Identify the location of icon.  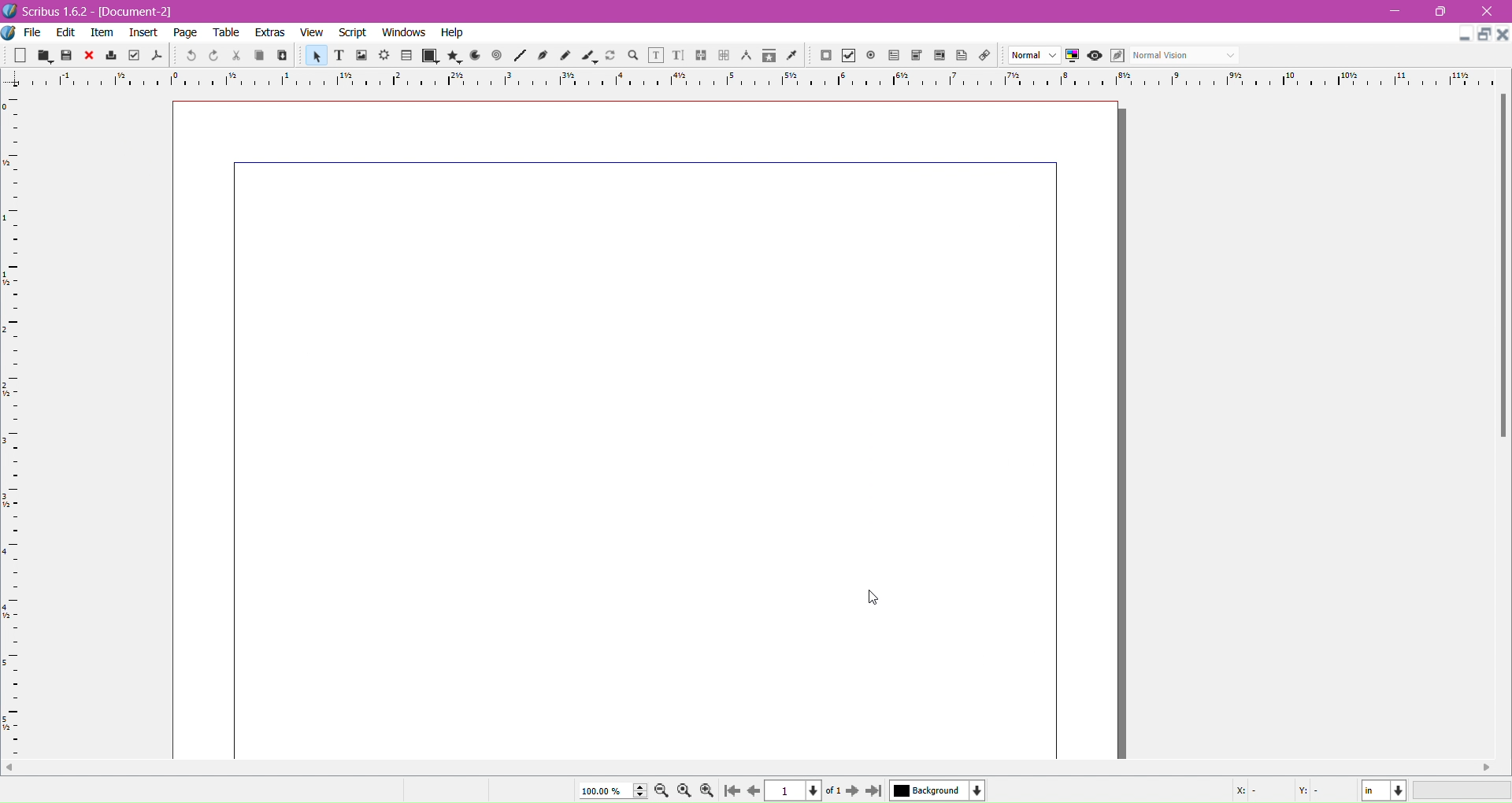
(518, 57).